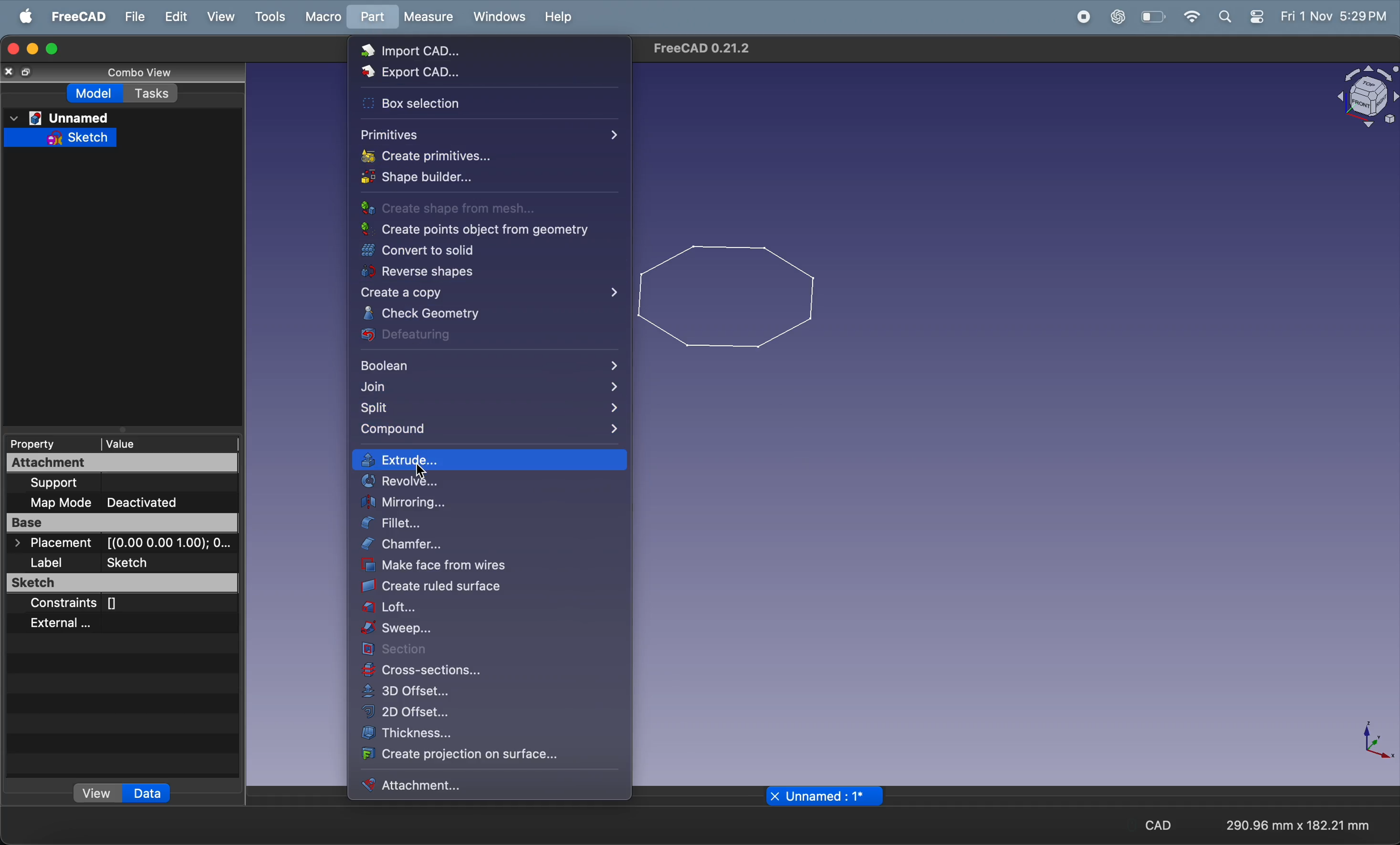 This screenshot has width=1400, height=845. I want to click on import cad, so click(445, 52).